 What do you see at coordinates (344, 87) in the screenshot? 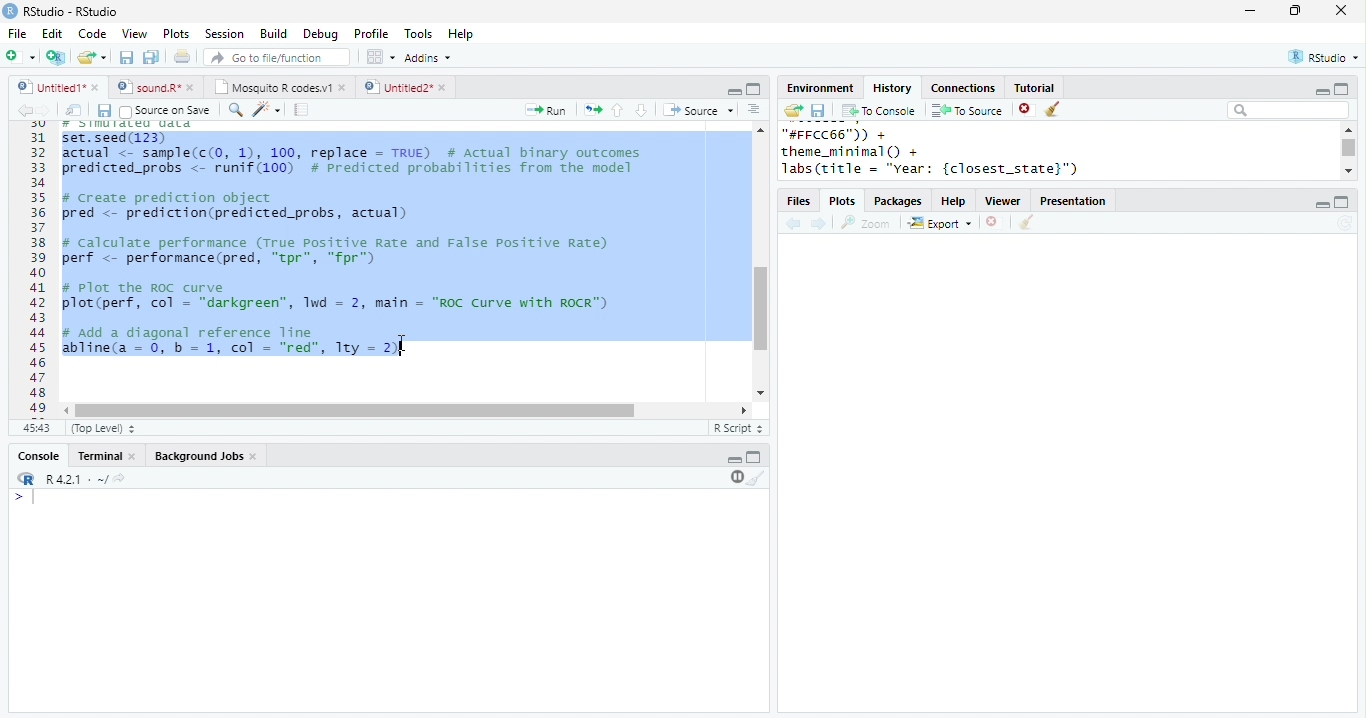
I see `close` at bounding box center [344, 87].